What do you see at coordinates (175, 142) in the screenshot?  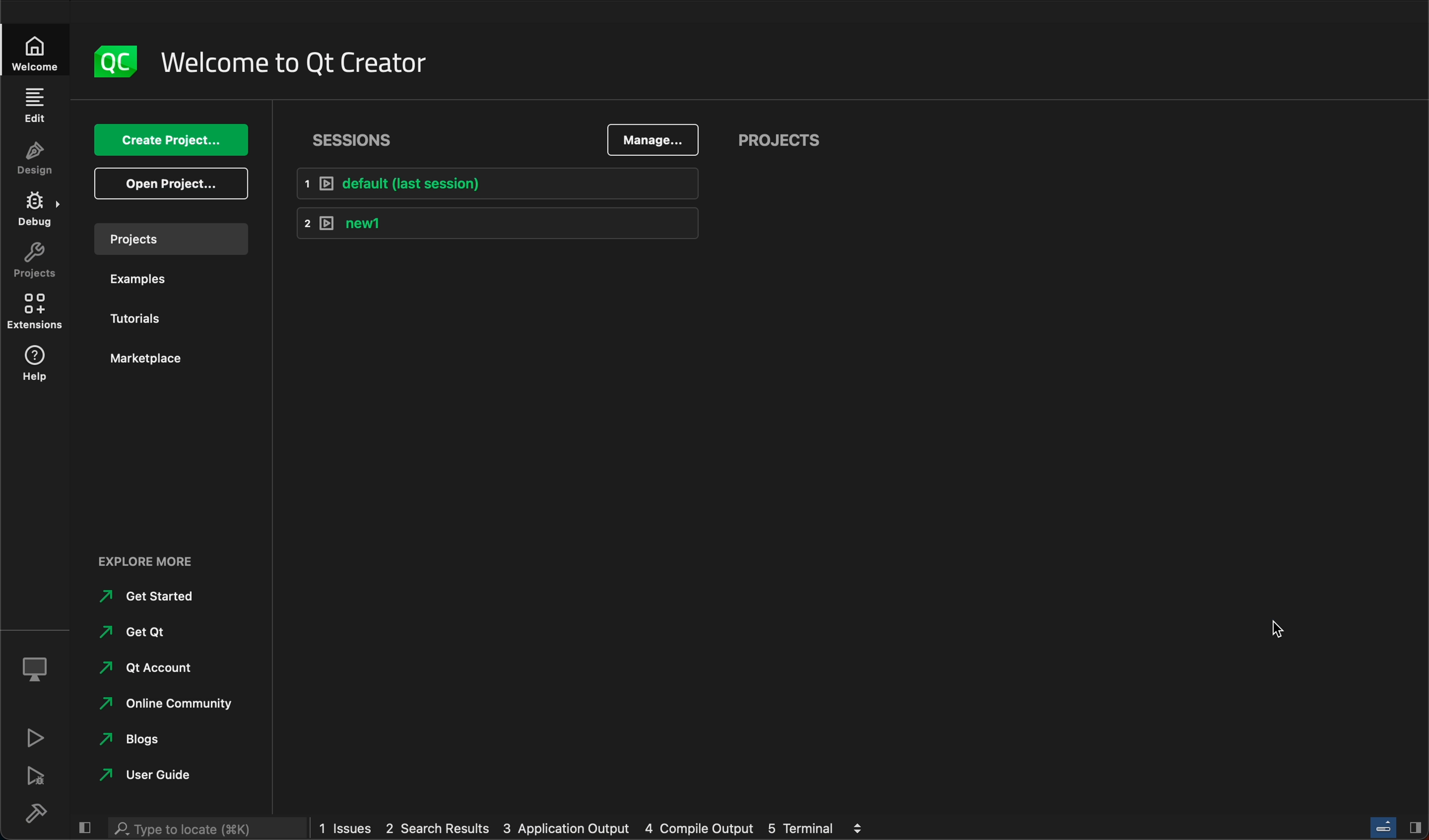 I see `create project` at bounding box center [175, 142].